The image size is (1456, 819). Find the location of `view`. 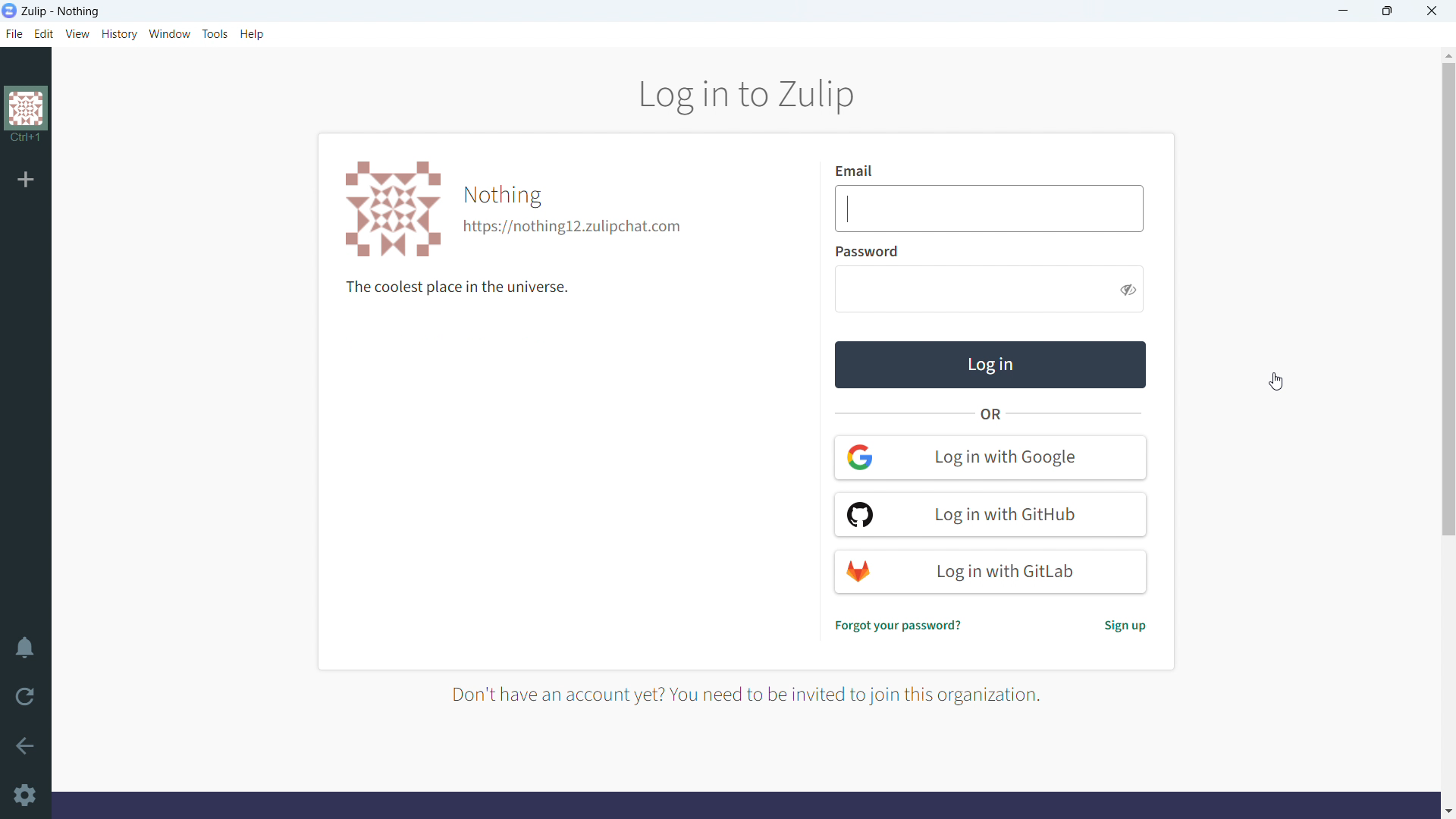

view is located at coordinates (77, 34).